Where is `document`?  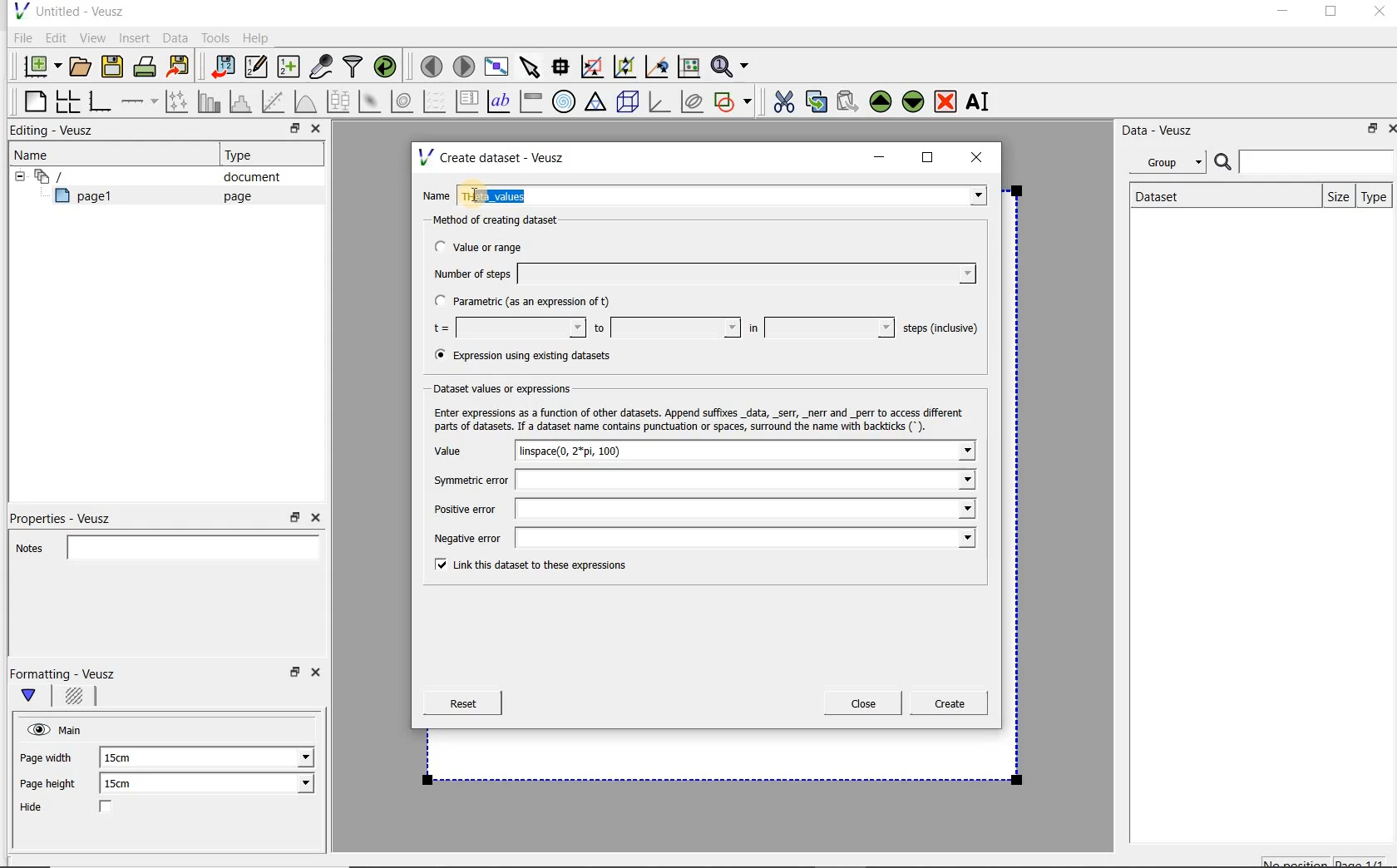
document is located at coordinates (245, 177).